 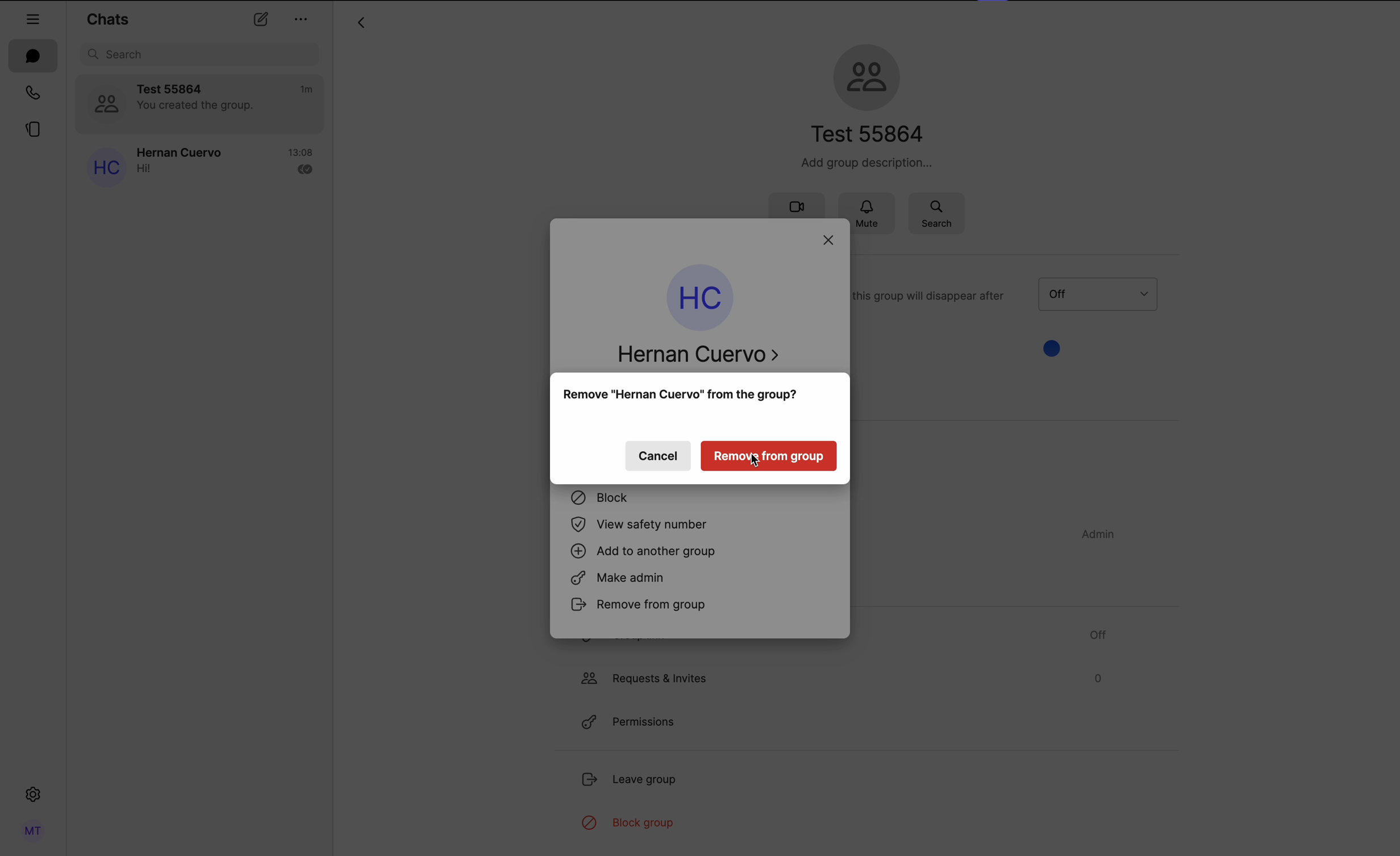 I want to click on leave group, so click(x=632, y=782).